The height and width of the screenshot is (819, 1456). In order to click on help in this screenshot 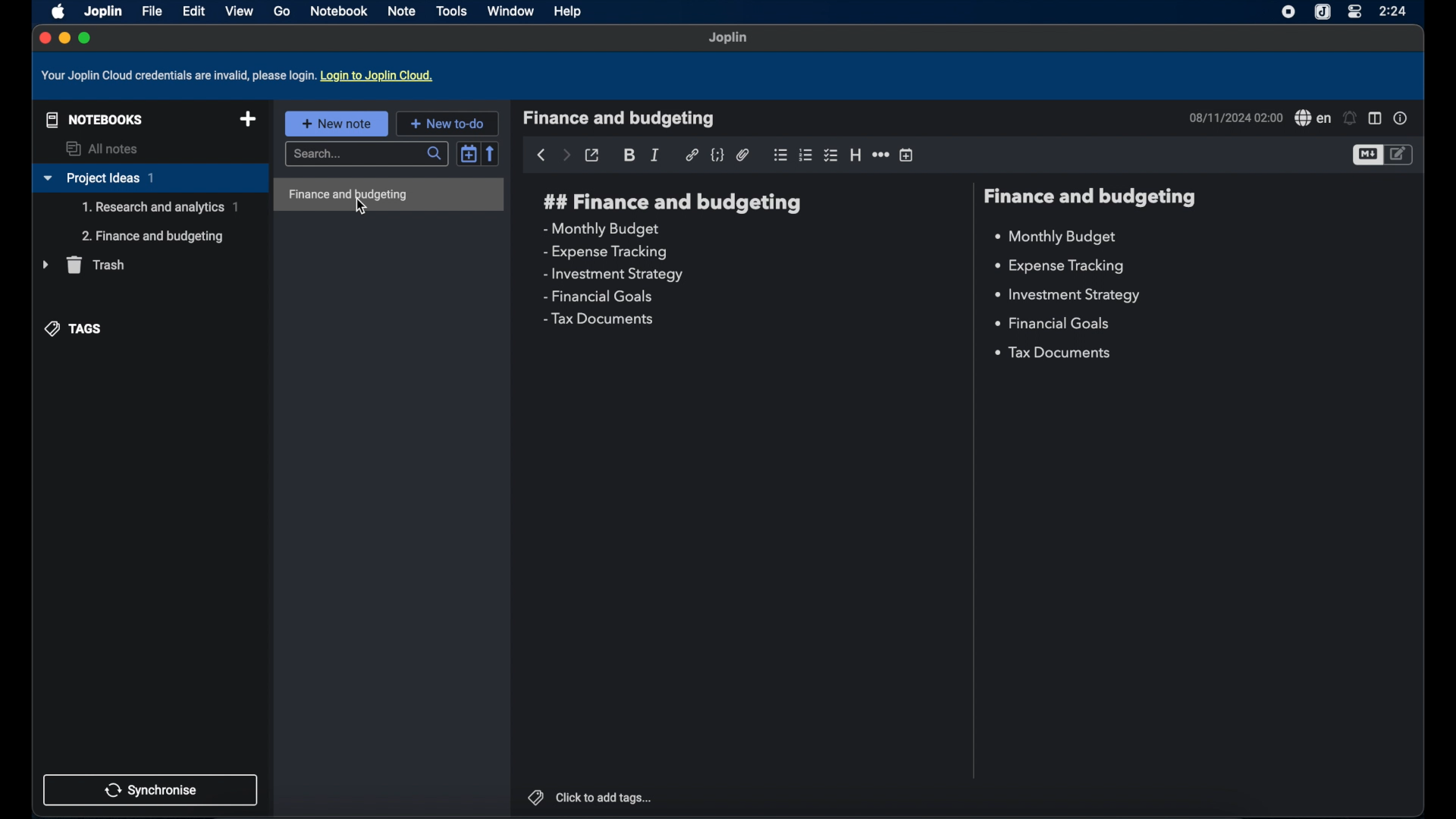, I will do `click(569, 13)`.